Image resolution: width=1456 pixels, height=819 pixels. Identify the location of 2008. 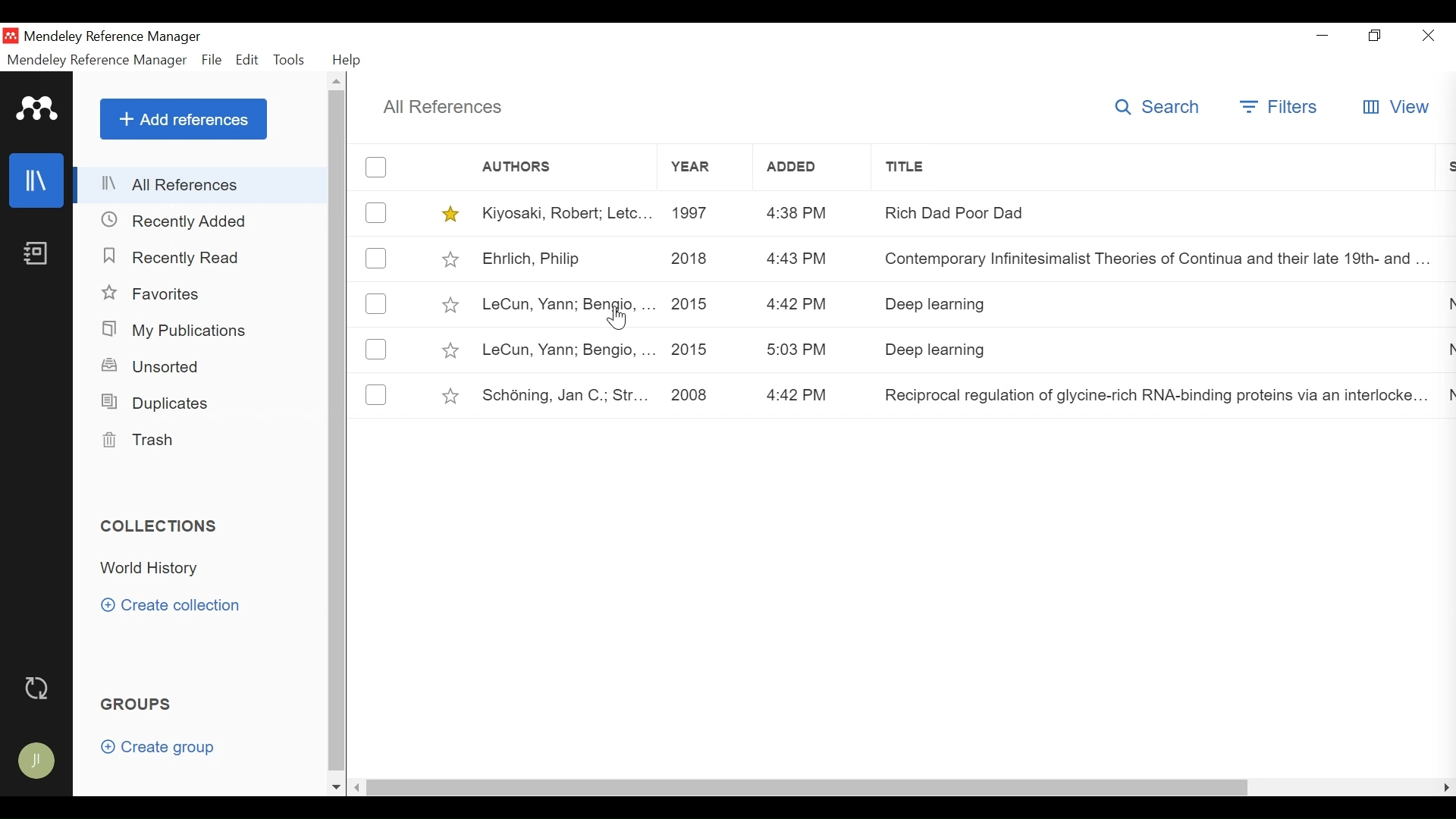
(689, 397).